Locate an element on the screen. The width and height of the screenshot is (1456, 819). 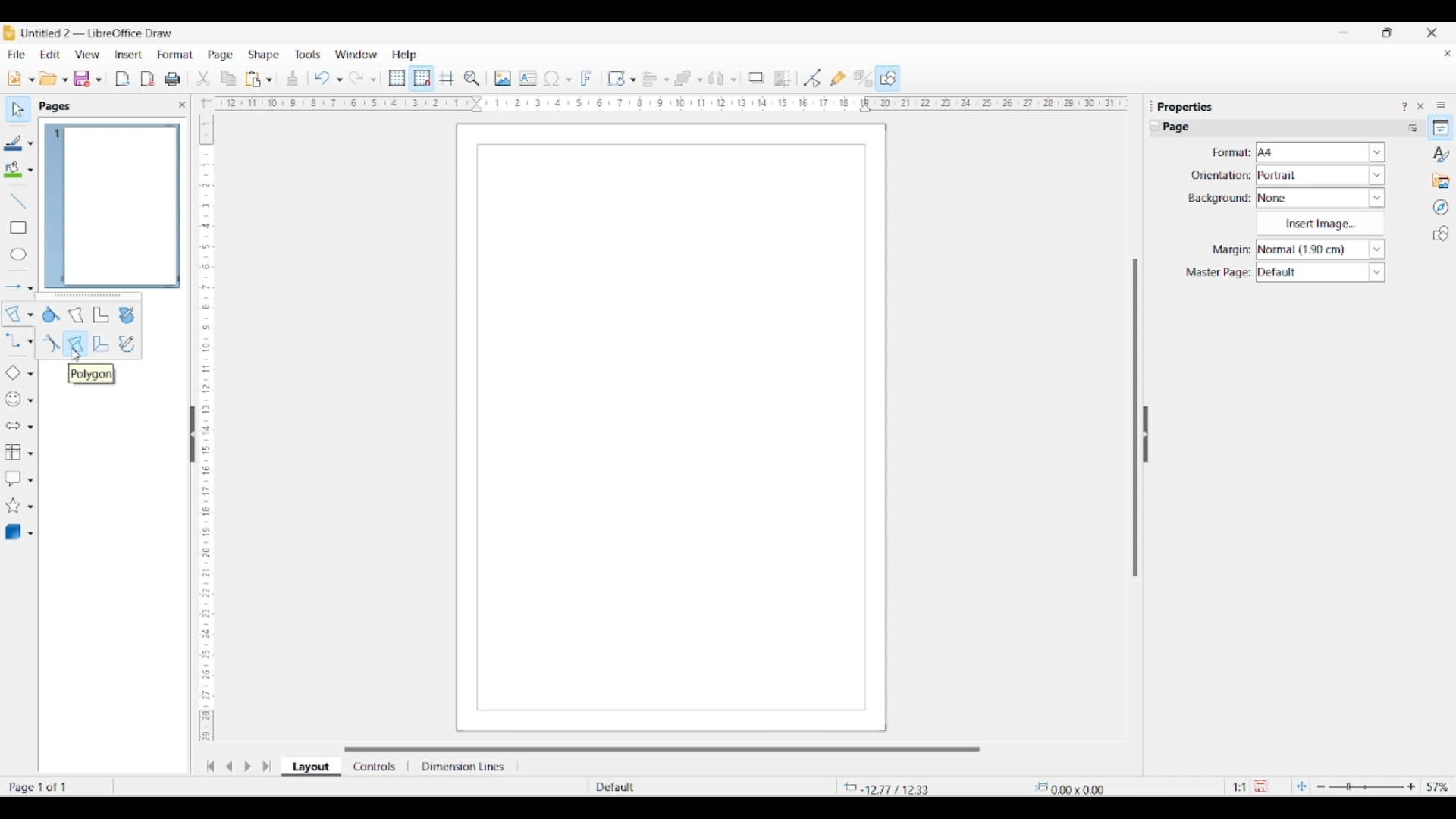
Selected transformation is located at coordinates (616, 78).